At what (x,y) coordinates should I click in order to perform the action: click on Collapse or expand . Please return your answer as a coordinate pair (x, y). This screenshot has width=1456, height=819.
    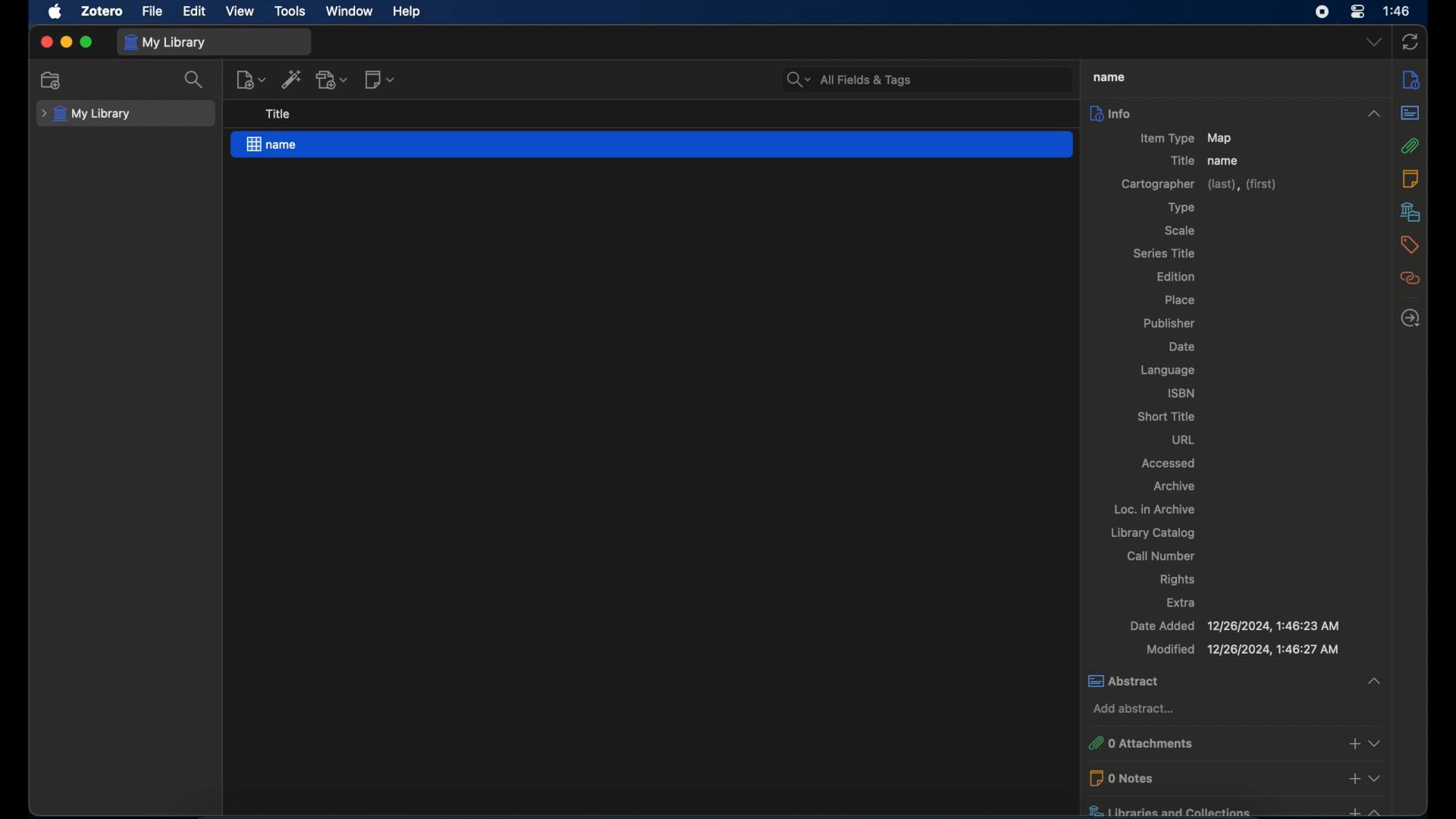
    Looking at the image, I should click on (1376, 810).